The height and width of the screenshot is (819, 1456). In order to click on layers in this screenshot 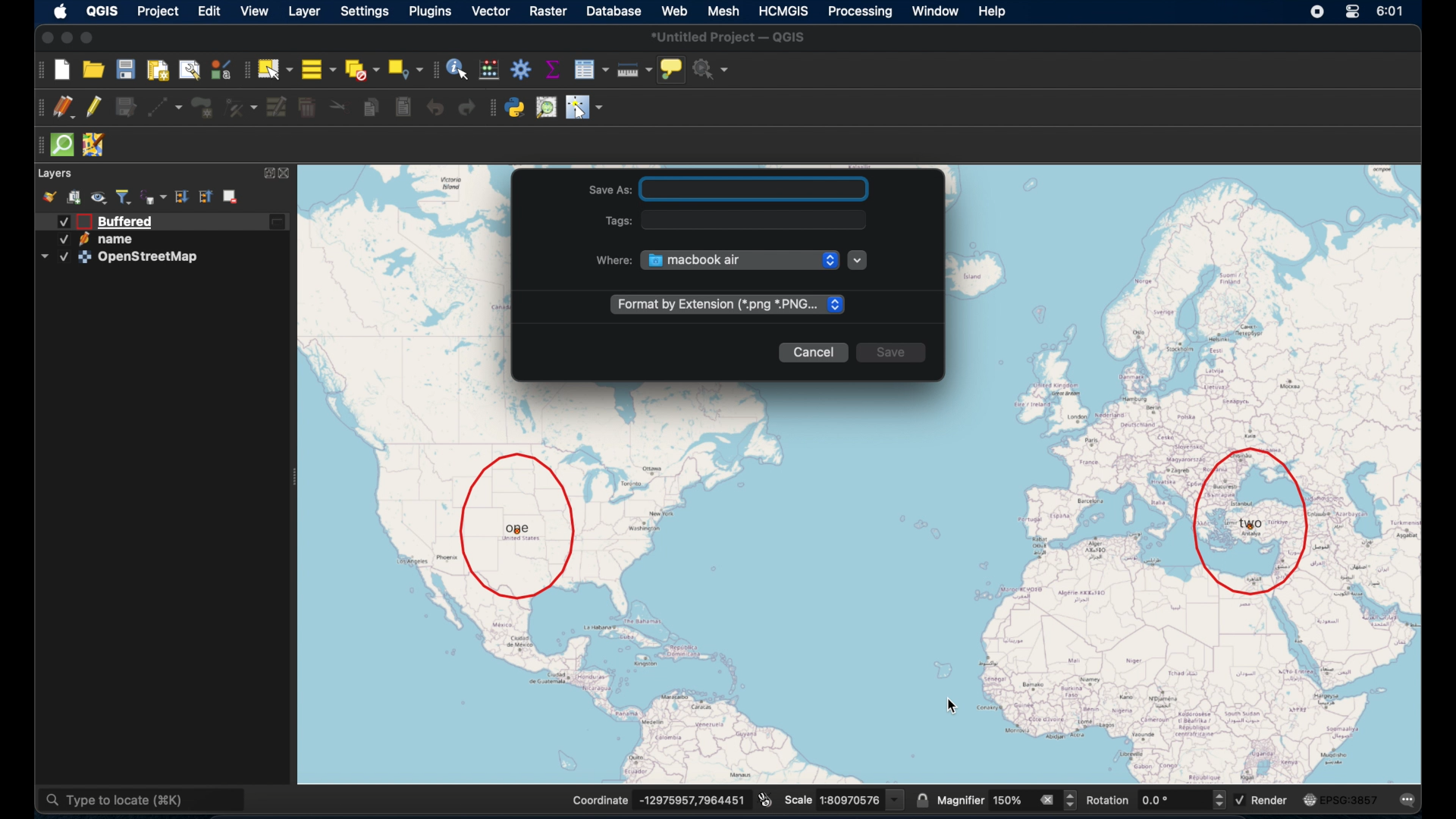, I will do `click(55, 173)`.